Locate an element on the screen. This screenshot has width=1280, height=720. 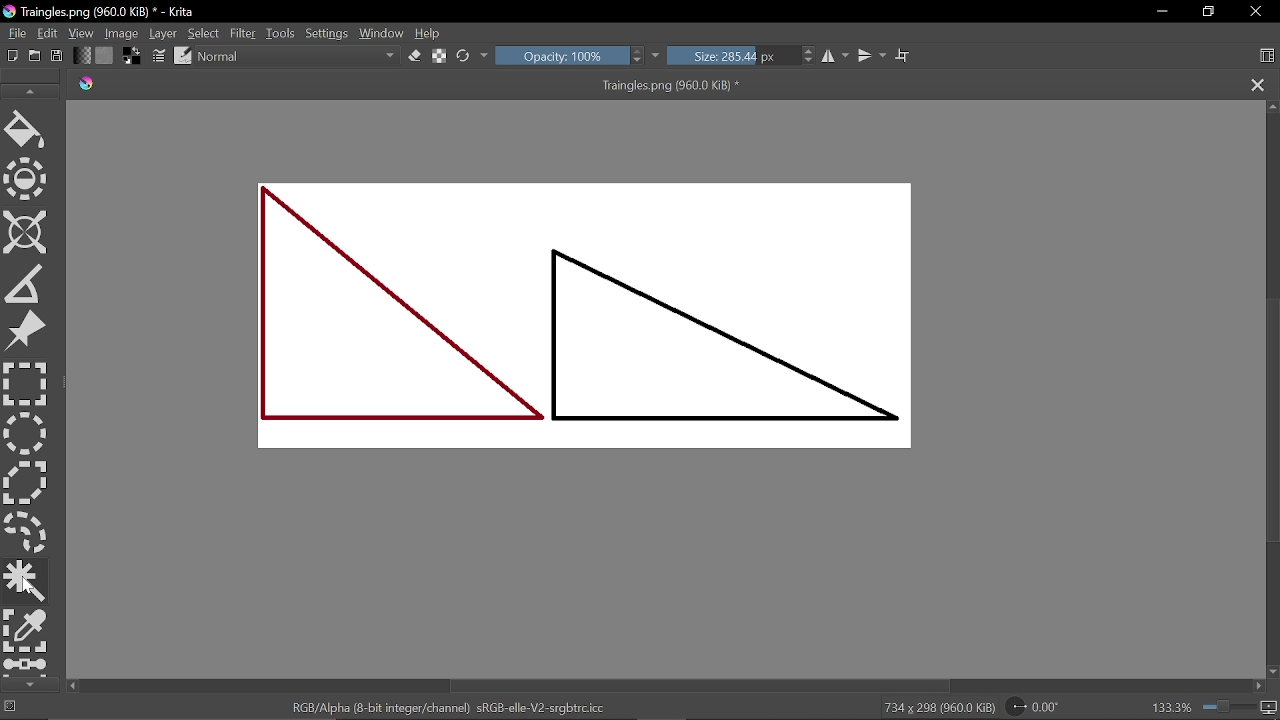
Restore down is located at coordinates (1208, 11).